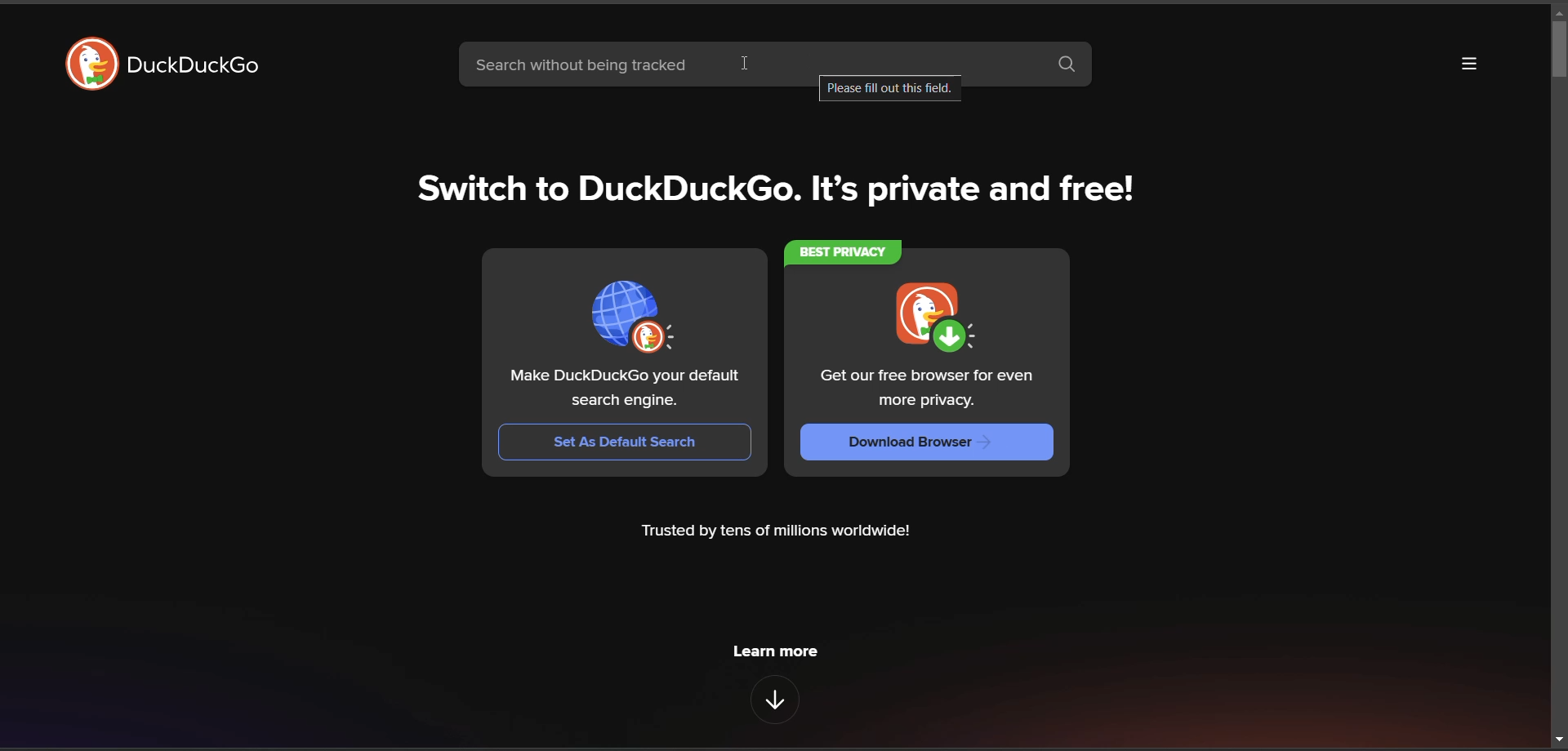 The height and width of the screenshot is (751, 1568). What do you see at coordinates (774, 531) in the screenshot?
I see `metadata` at bounding box center [774, 531].